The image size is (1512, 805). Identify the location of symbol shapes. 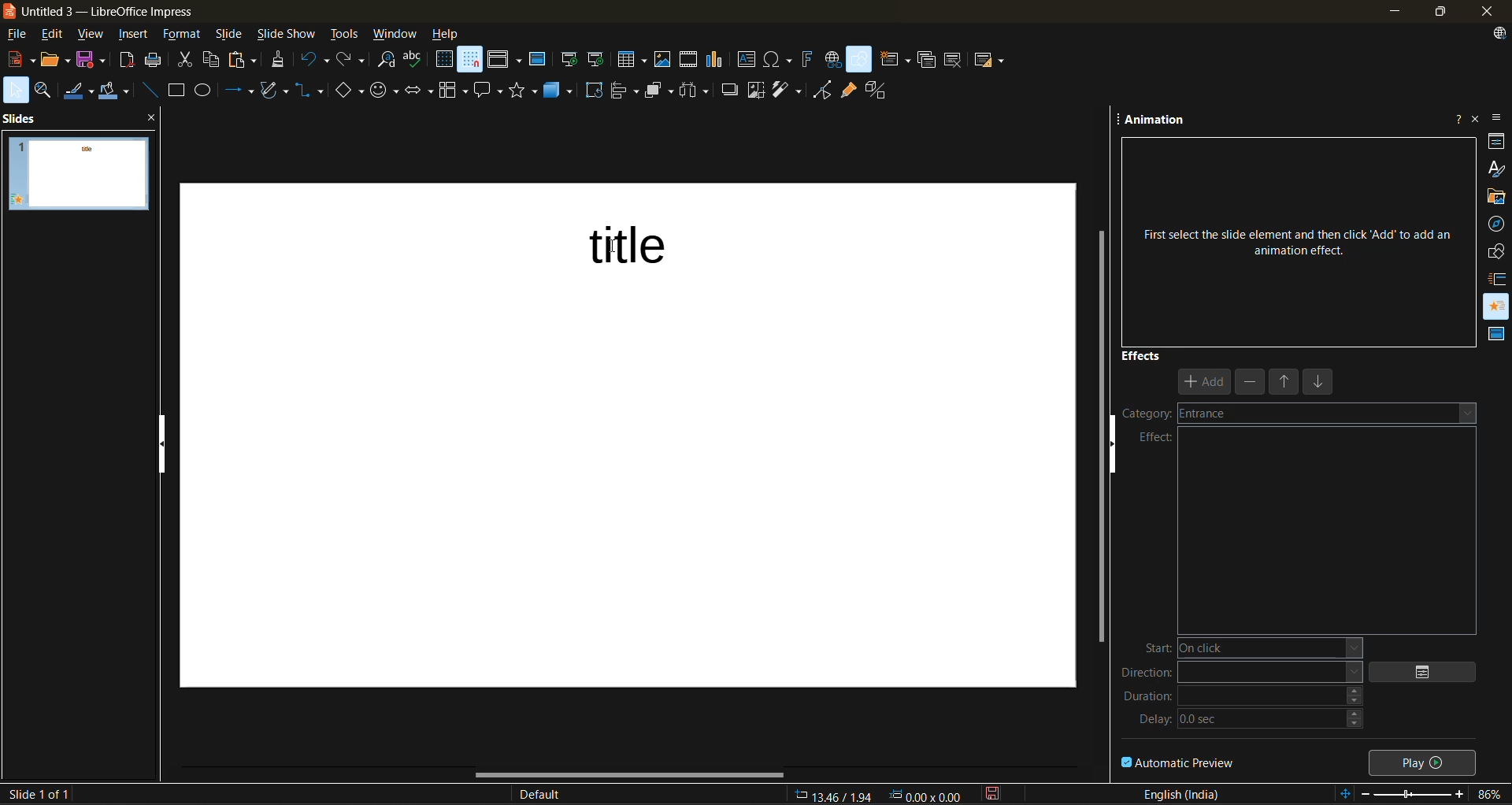
(387, 91).